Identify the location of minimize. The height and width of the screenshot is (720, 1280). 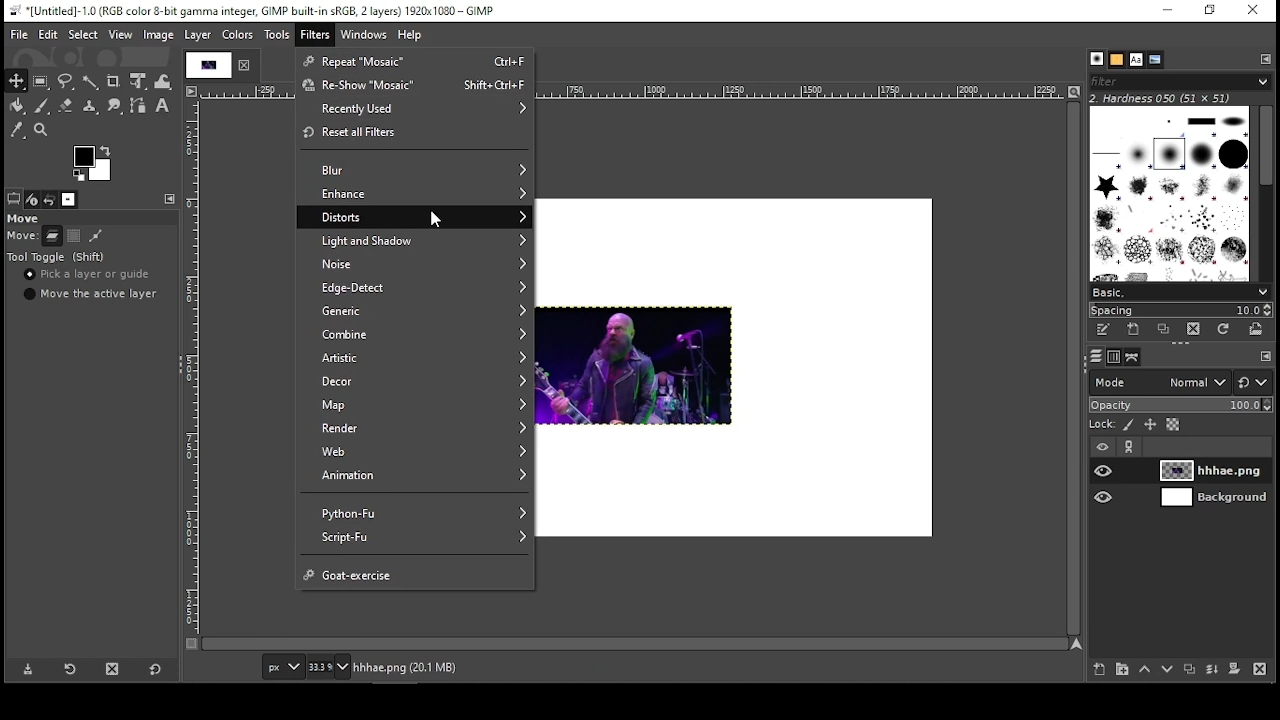
(1170, 11).